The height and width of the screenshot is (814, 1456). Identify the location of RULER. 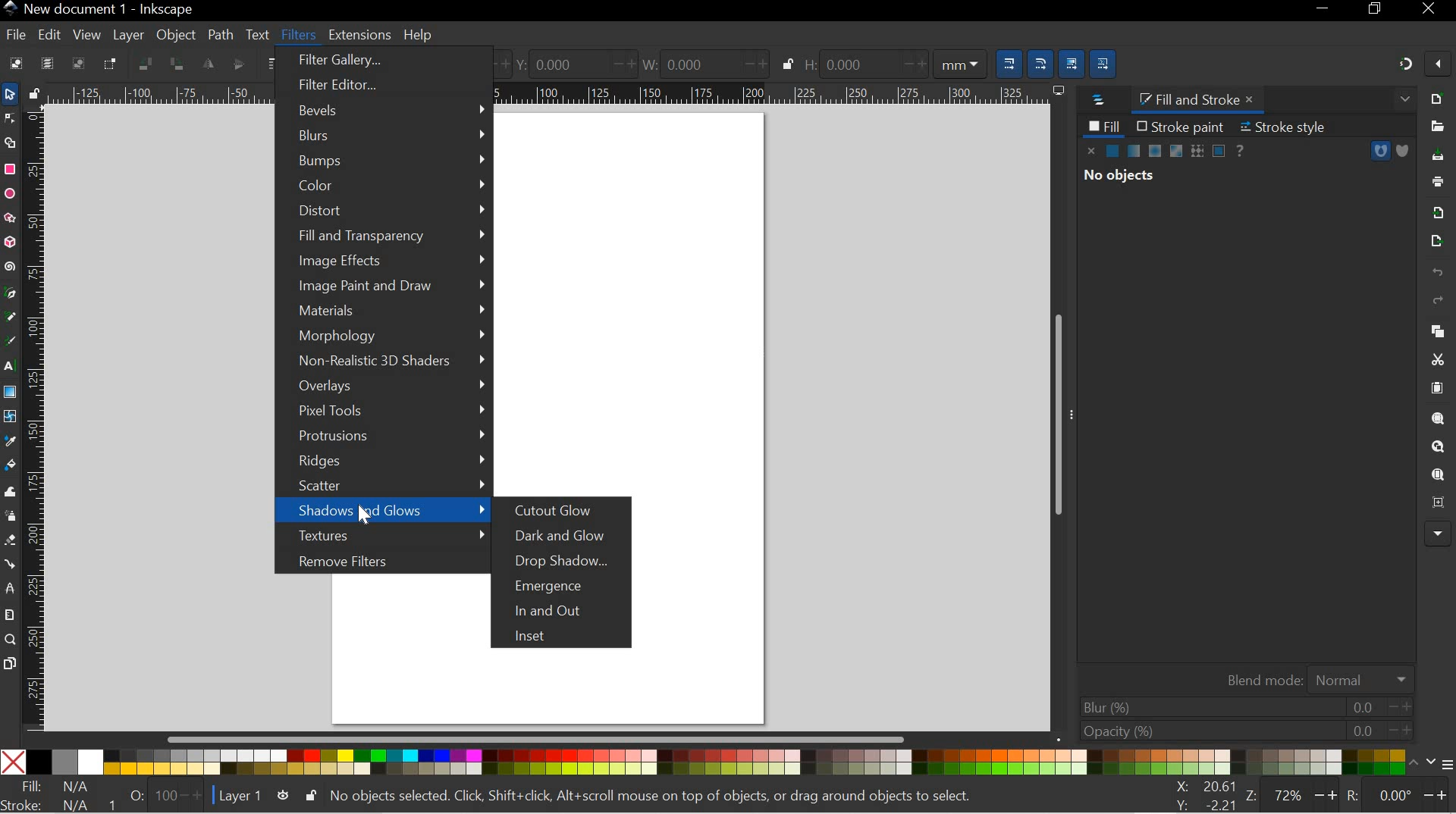
(36, 418).